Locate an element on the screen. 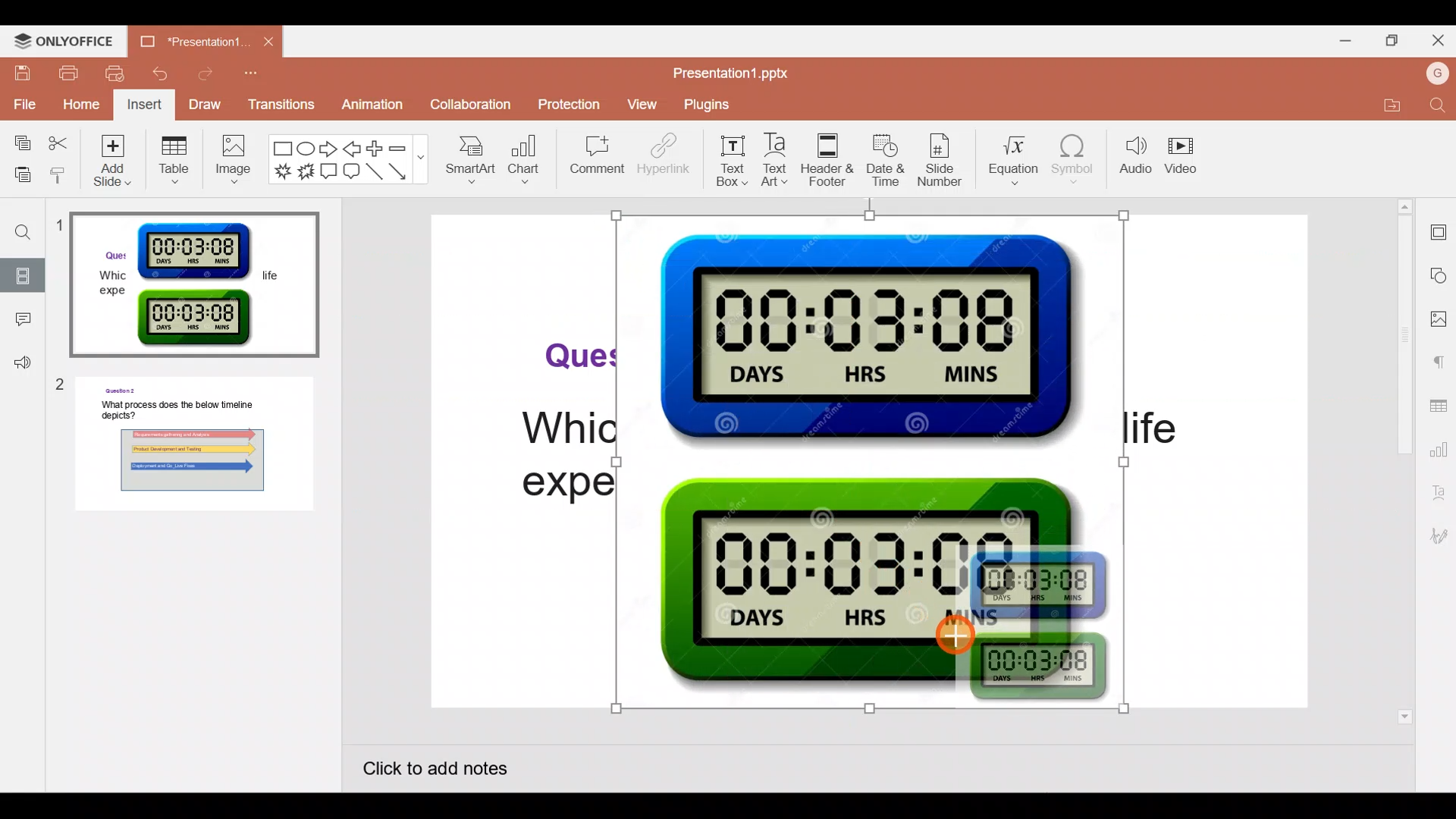 The height and width of the screenshot is (819, 1456). Feedback & support is located at coordinates (17, 364).